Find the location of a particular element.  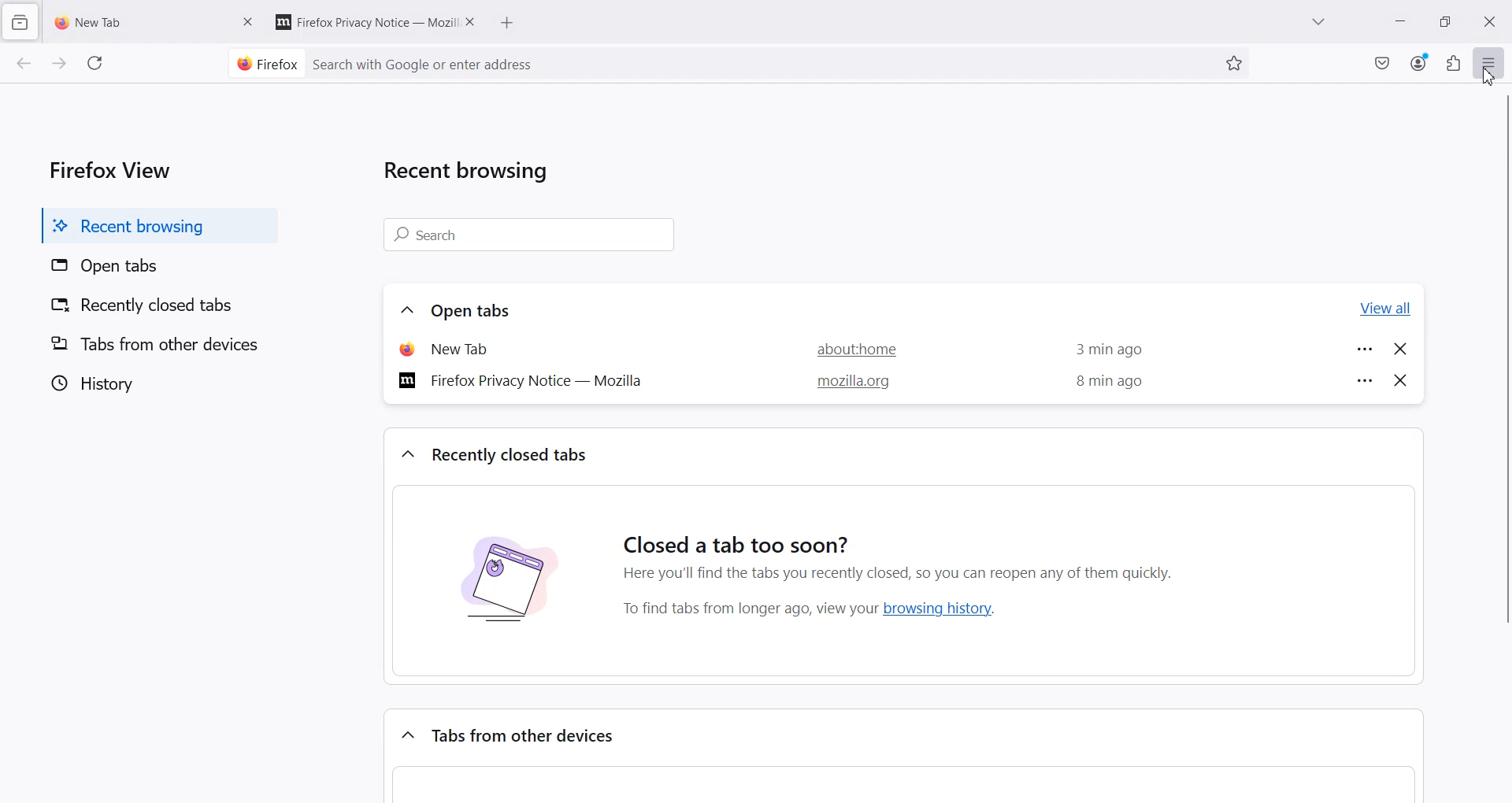

To find tabs from longer ago, view your is located at coordinates (746, 609).